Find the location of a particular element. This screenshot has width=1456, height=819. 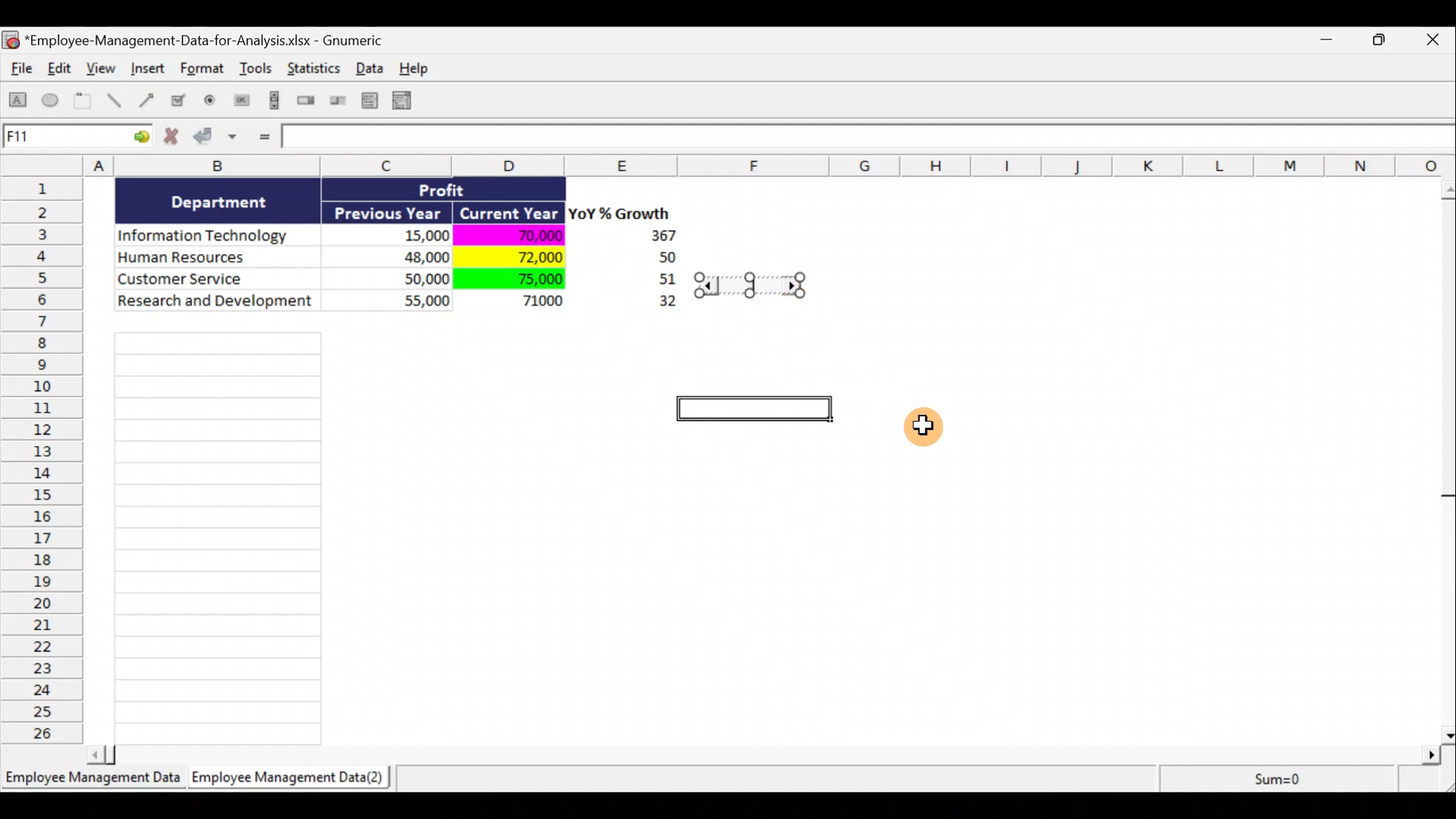

Create a slider is located at coordinates (336, 103).